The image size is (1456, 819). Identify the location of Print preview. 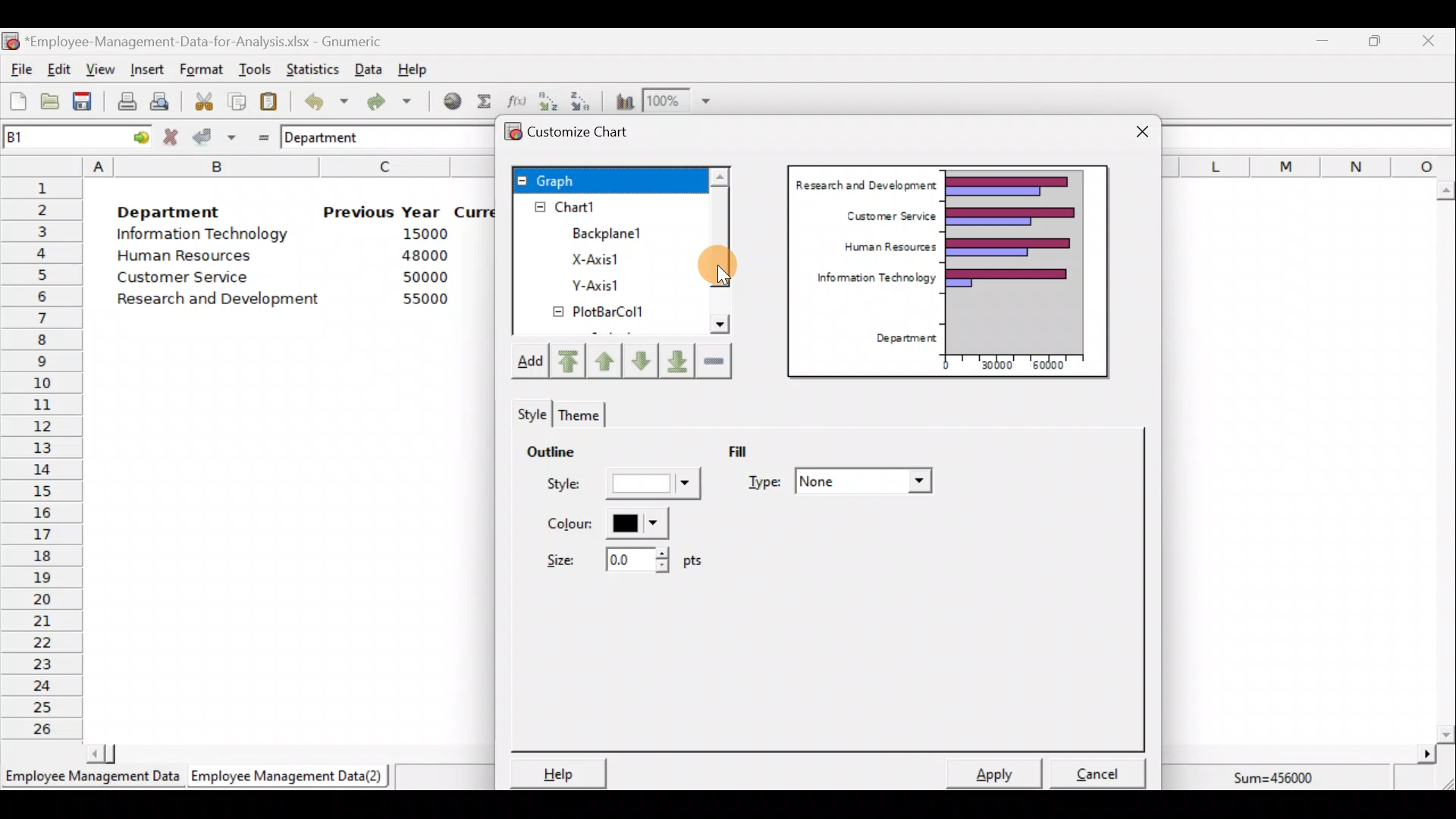
(159, 99).